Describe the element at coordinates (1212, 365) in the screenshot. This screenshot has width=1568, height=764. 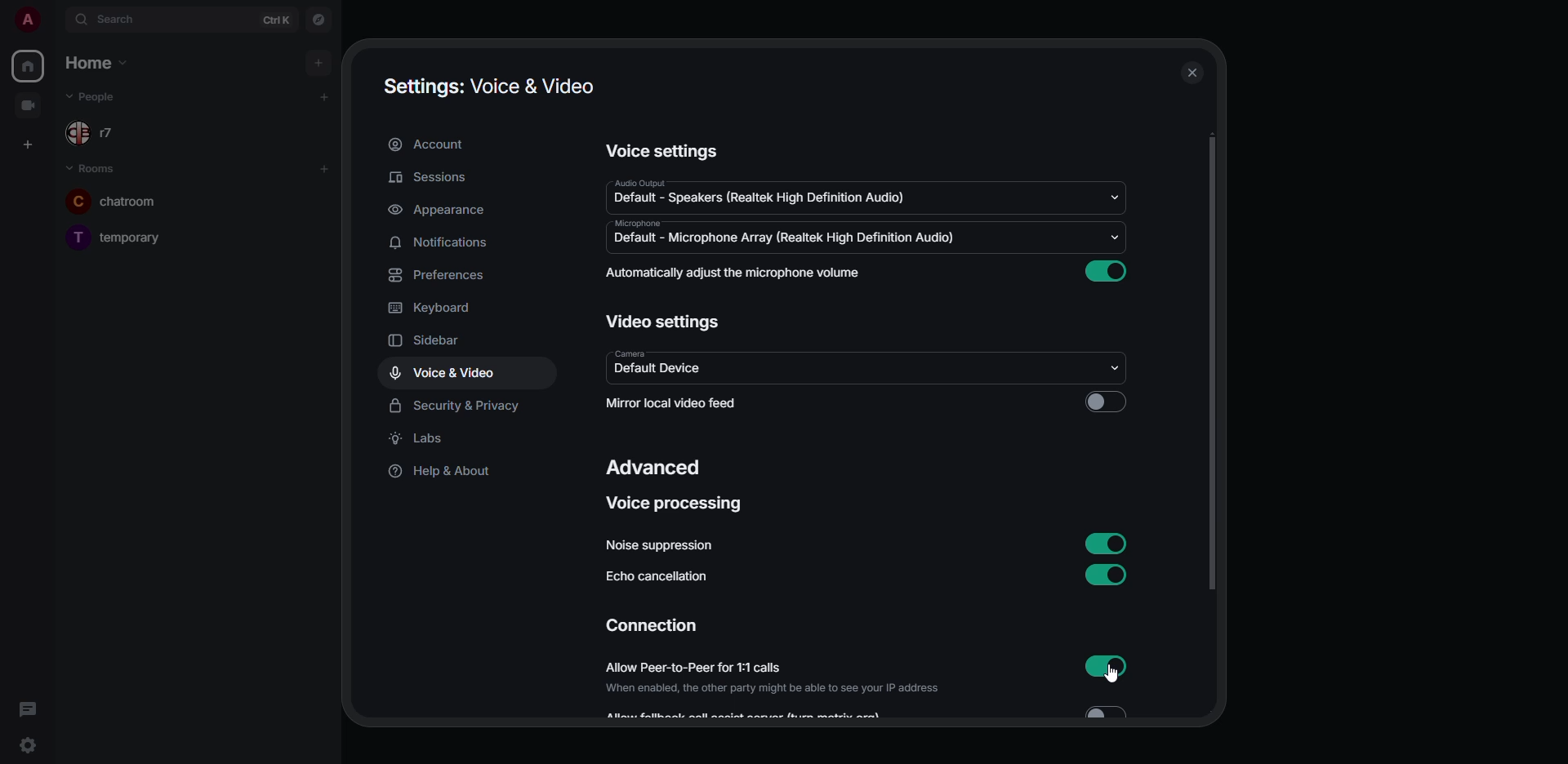
I see `scroll bar` at that location.